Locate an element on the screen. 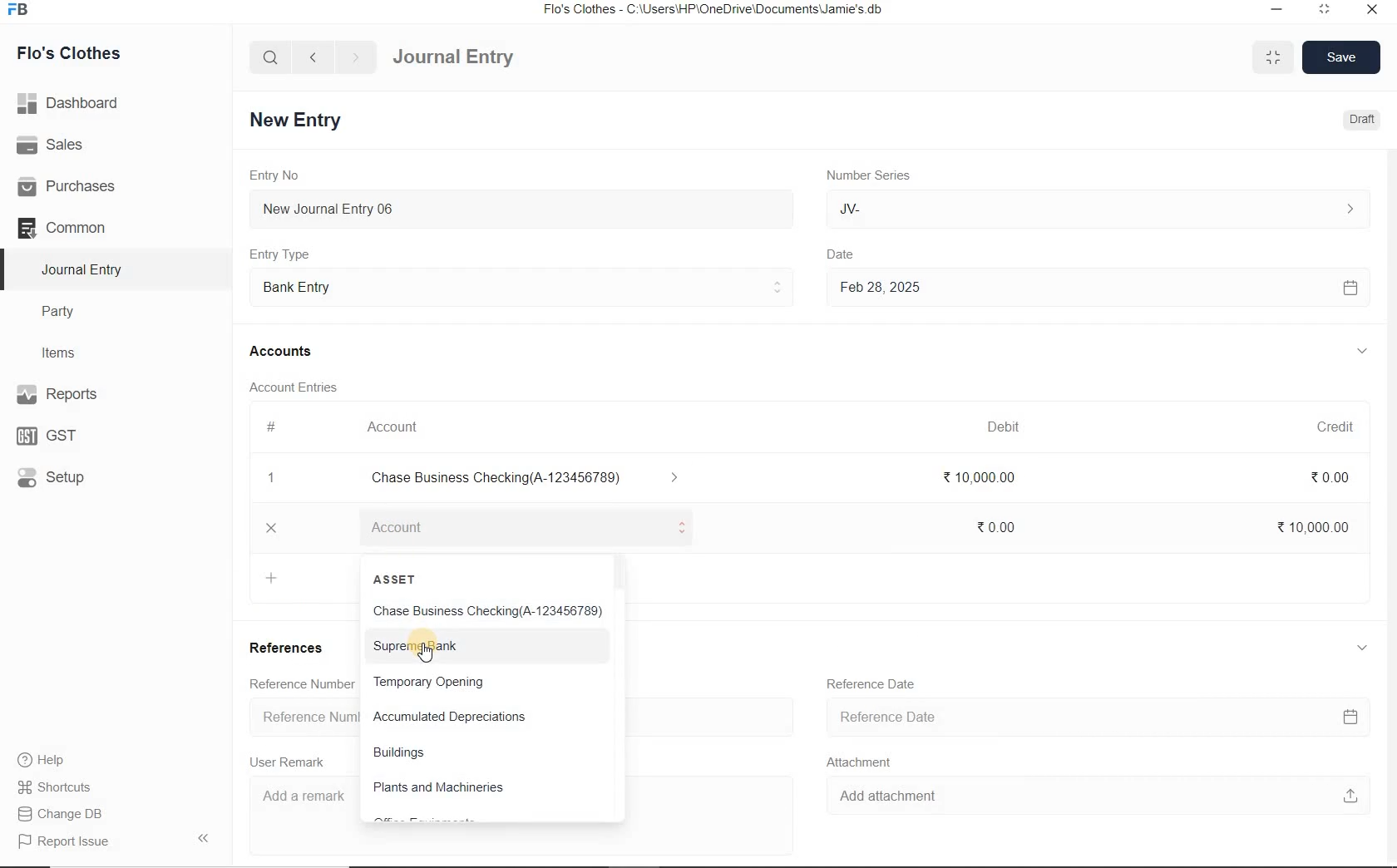 This screenshot has height=868, width=1397. Debit is located at coordinates (1012, 427).